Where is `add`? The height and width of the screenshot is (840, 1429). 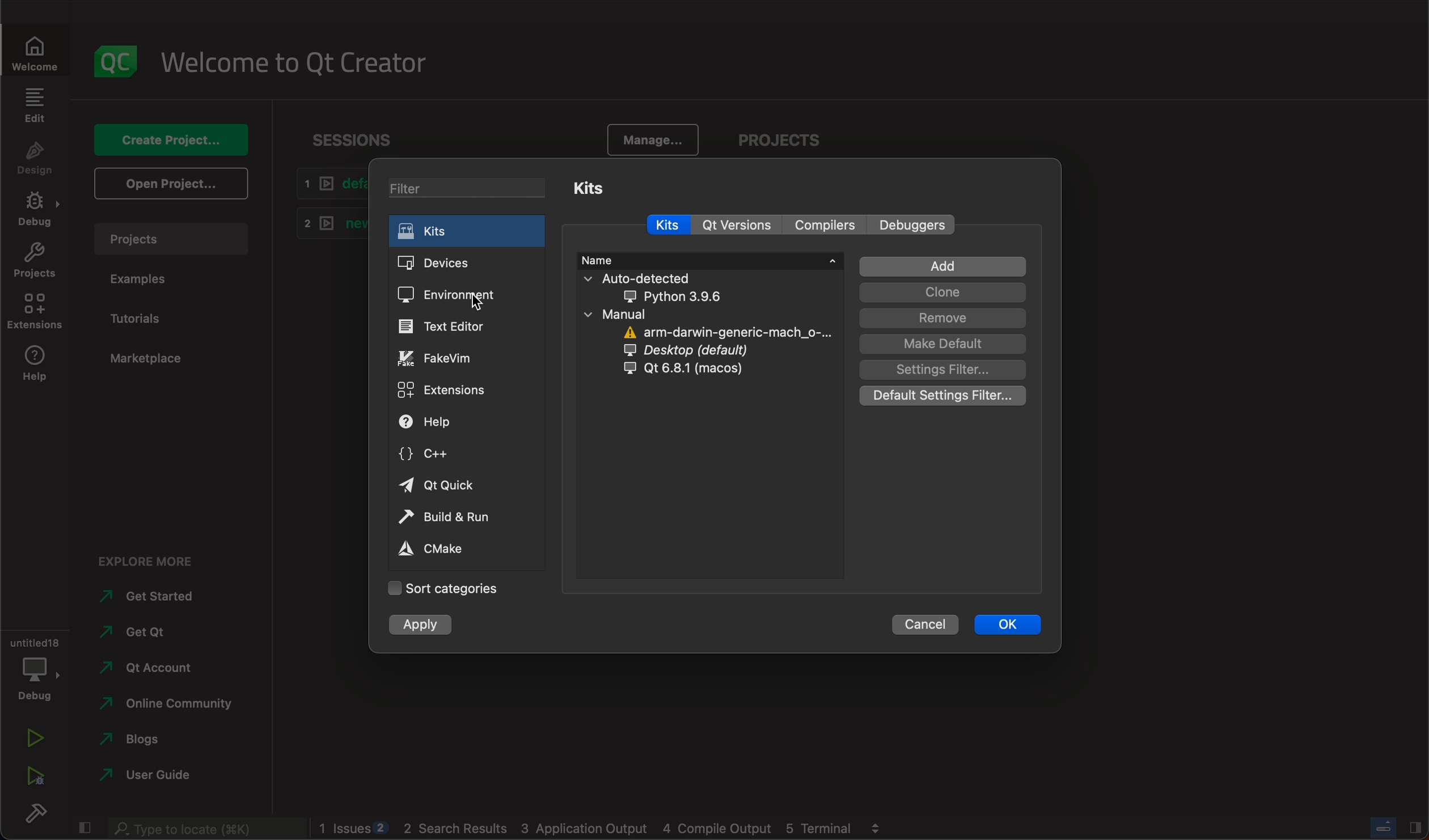 add is located at coordinates (941, 267).